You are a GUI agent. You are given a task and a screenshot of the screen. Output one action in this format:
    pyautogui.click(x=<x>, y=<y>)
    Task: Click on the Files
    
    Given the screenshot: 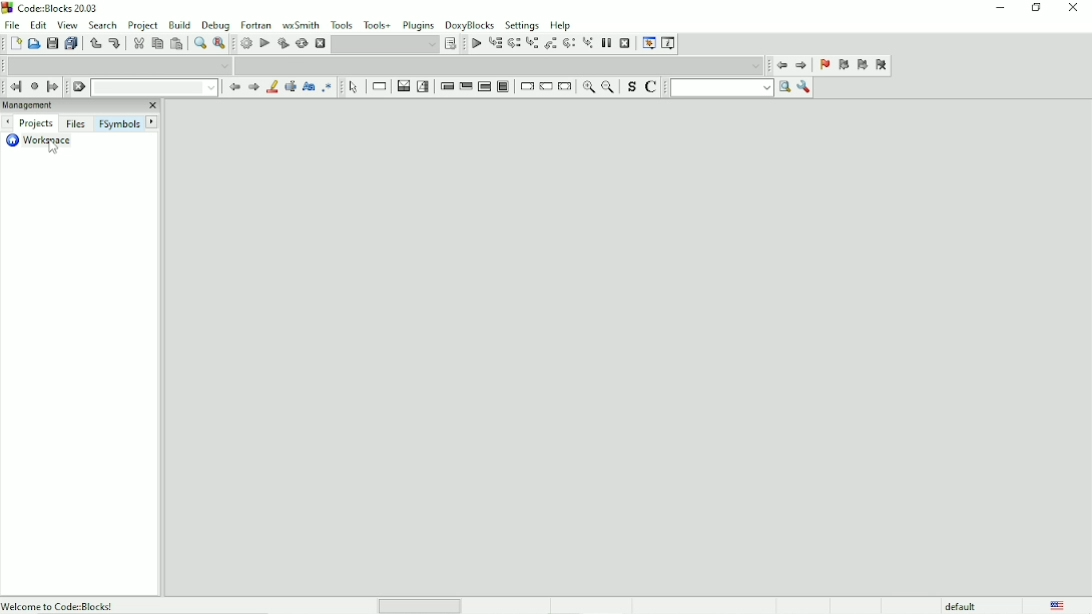 What is the action you would take?
    pyautogui.click(x=75, y=124)
    